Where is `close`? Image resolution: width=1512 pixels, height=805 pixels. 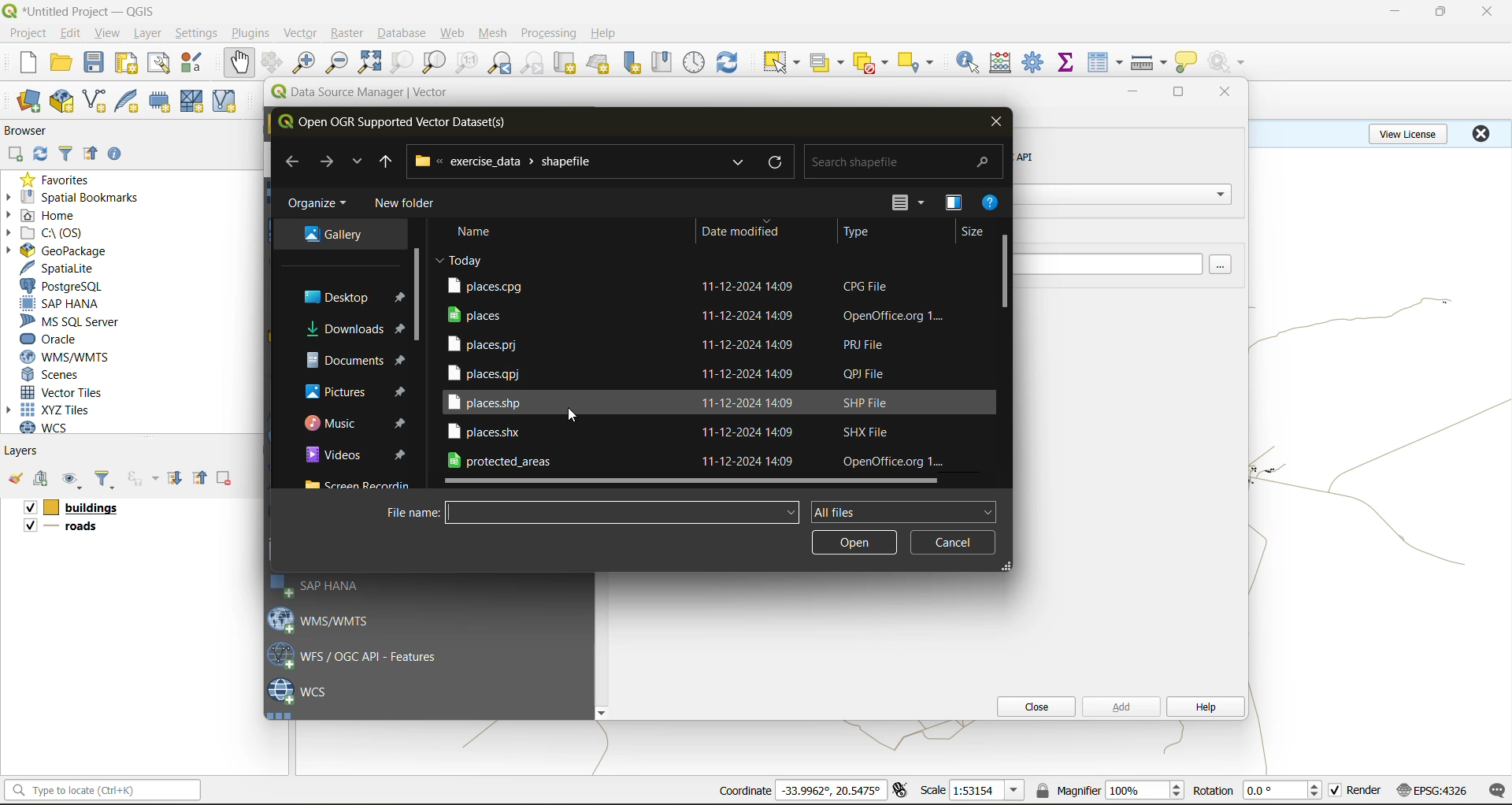
close is located at coordinates (1031, 707).